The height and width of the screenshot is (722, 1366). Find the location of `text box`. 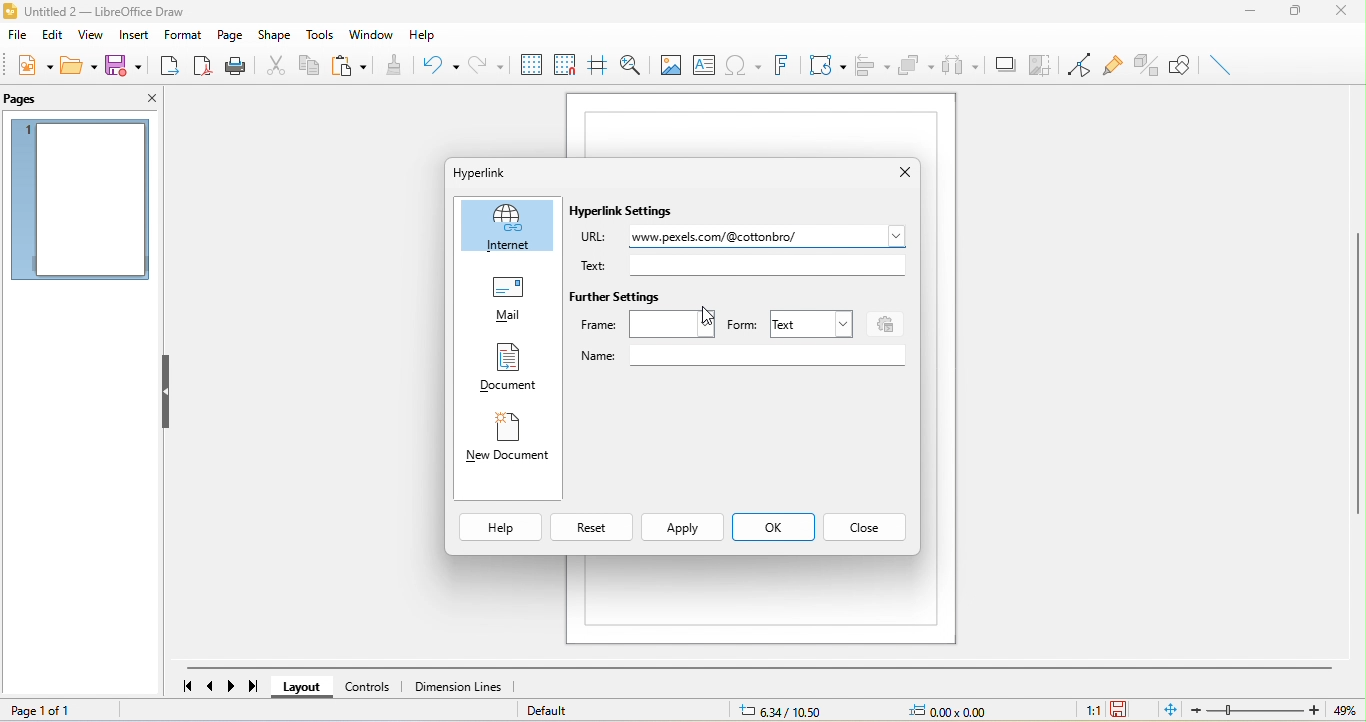

text box is located at coordinates (704, 65).